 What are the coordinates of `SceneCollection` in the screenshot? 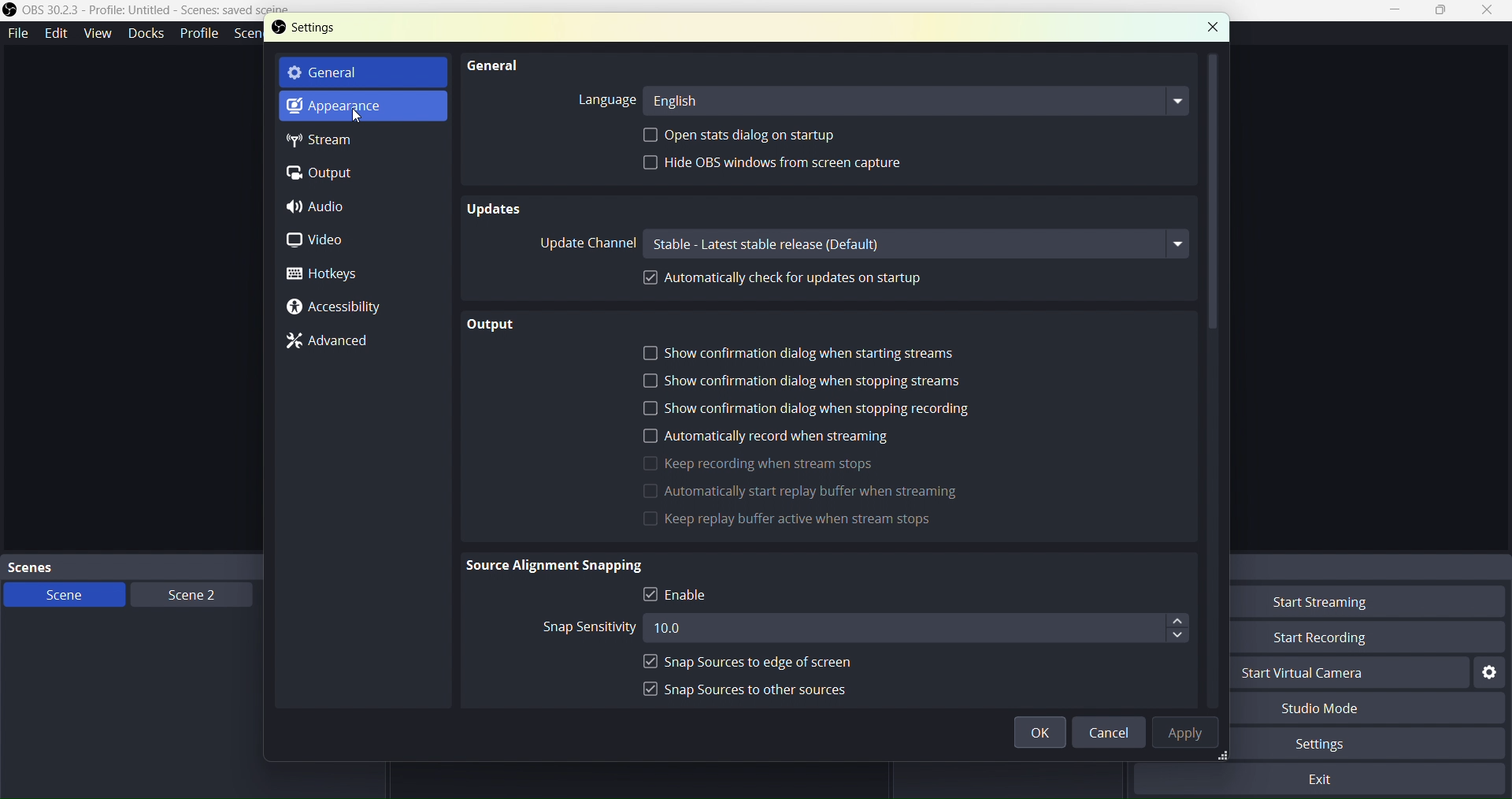 It's located at (253, 34).